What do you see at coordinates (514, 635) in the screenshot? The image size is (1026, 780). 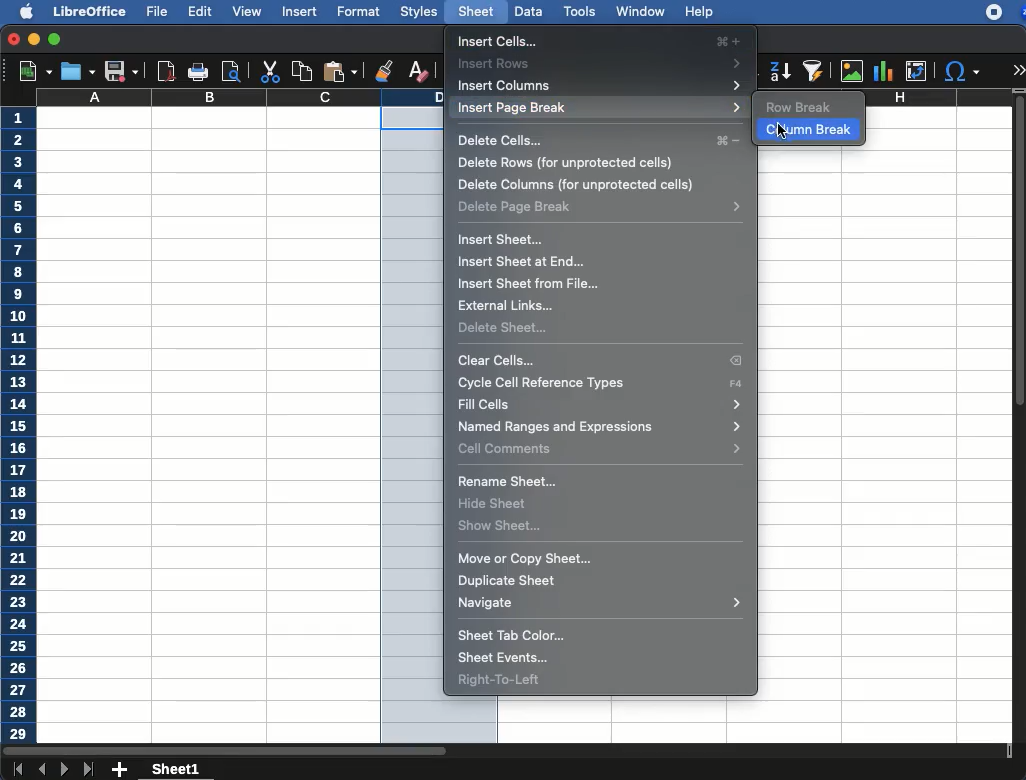 I see `sheet tab color` at bounding box center [514, 635].